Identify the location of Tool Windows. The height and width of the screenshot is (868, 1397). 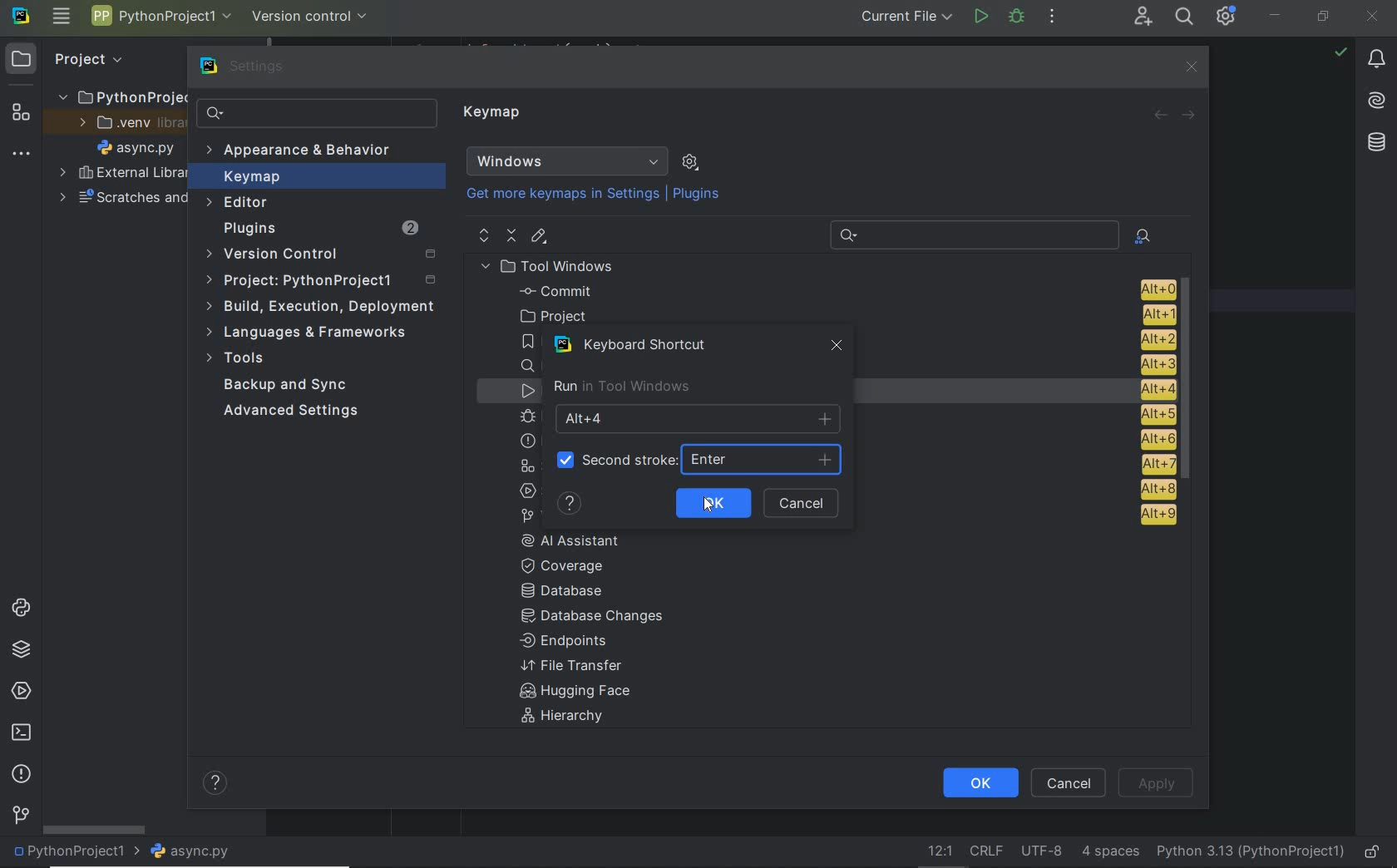
(554, 266).